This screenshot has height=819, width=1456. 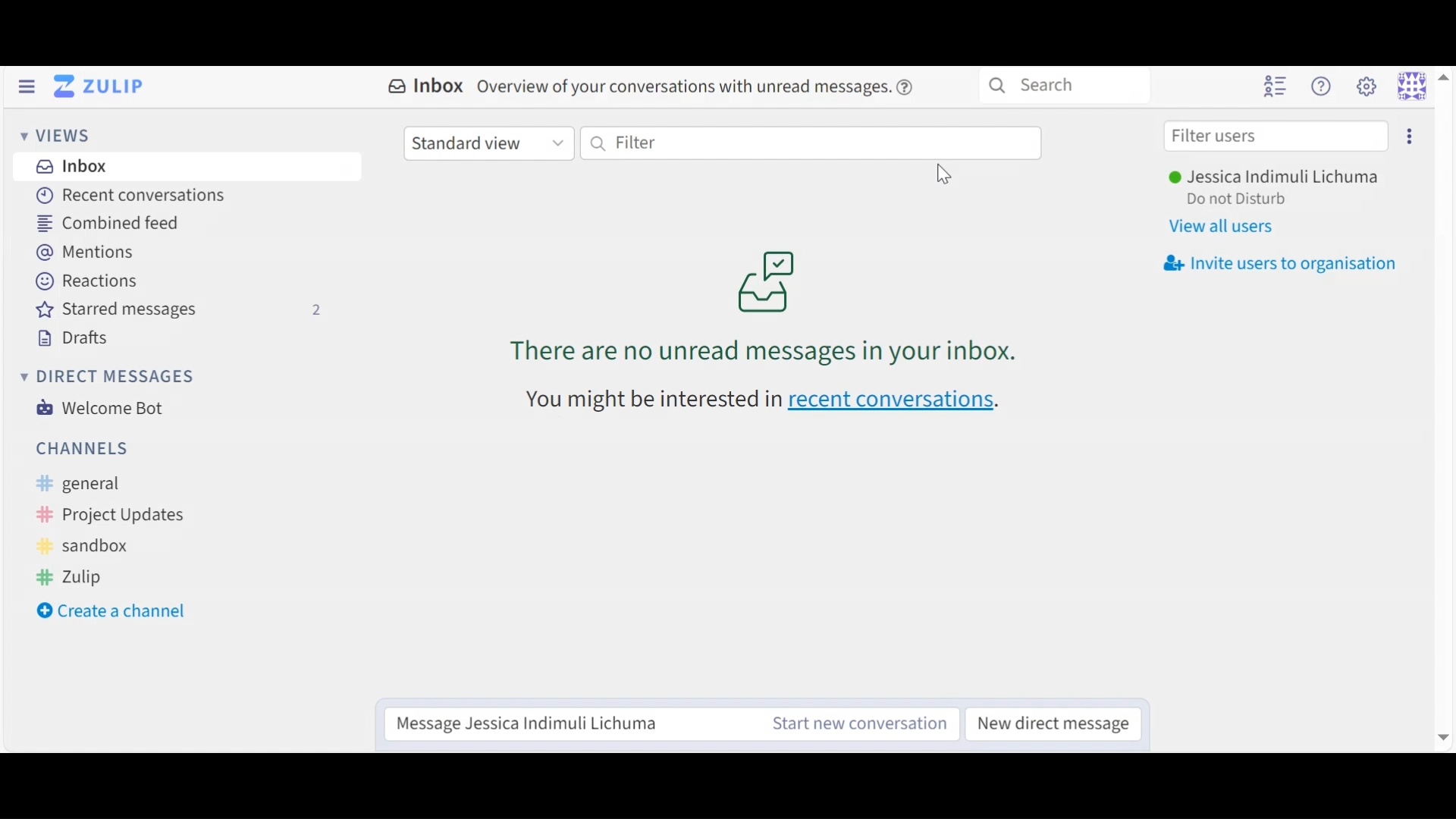 I want to click on Hide user List , so click(x=1275, y=85).